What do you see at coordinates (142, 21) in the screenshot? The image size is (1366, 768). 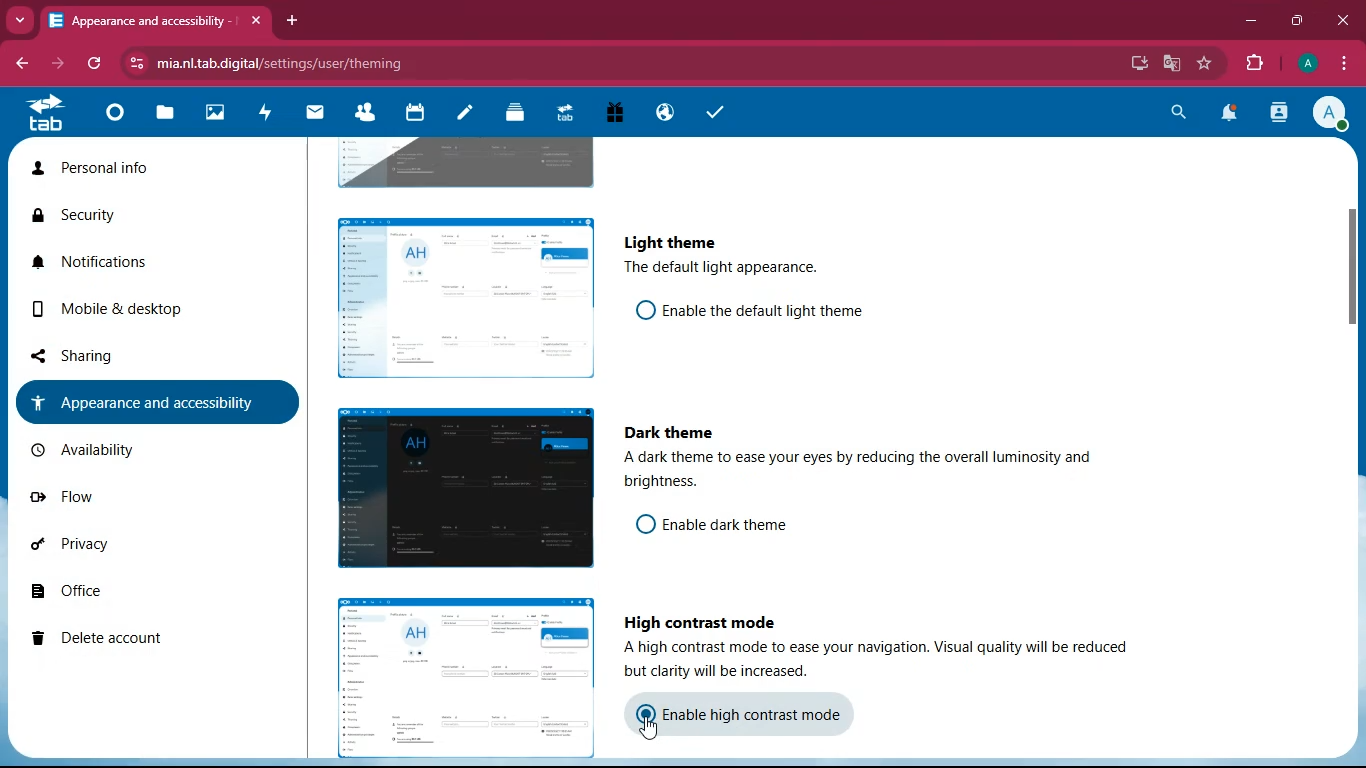 I see `tab` at bounding box center [142, 21].